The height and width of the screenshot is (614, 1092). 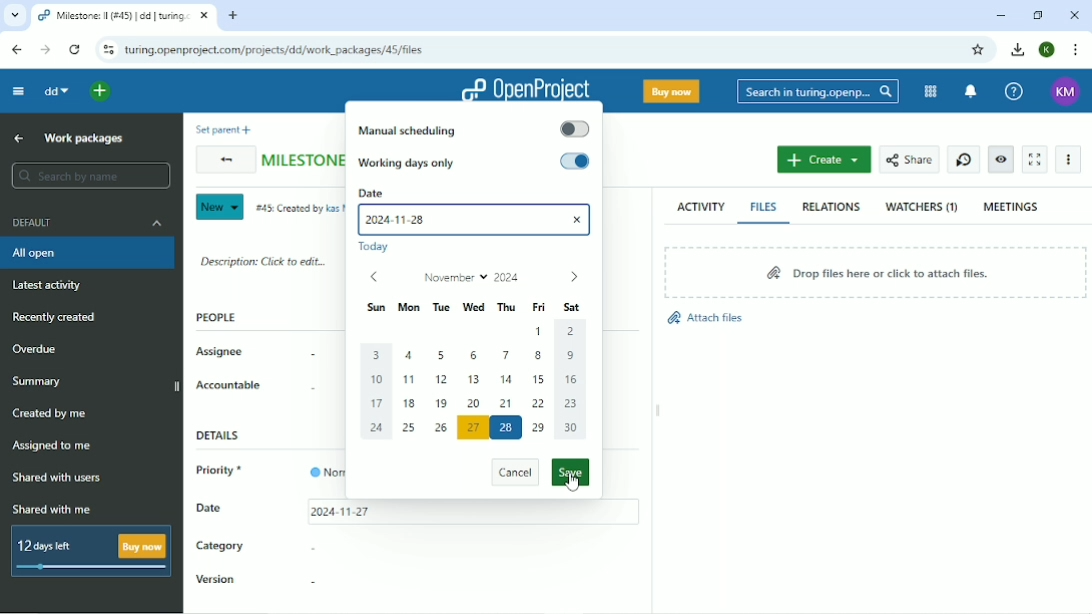 What do you see at coordinates (507, 428) in the screenshot?
I see `28` at bounding box center [507, 428].